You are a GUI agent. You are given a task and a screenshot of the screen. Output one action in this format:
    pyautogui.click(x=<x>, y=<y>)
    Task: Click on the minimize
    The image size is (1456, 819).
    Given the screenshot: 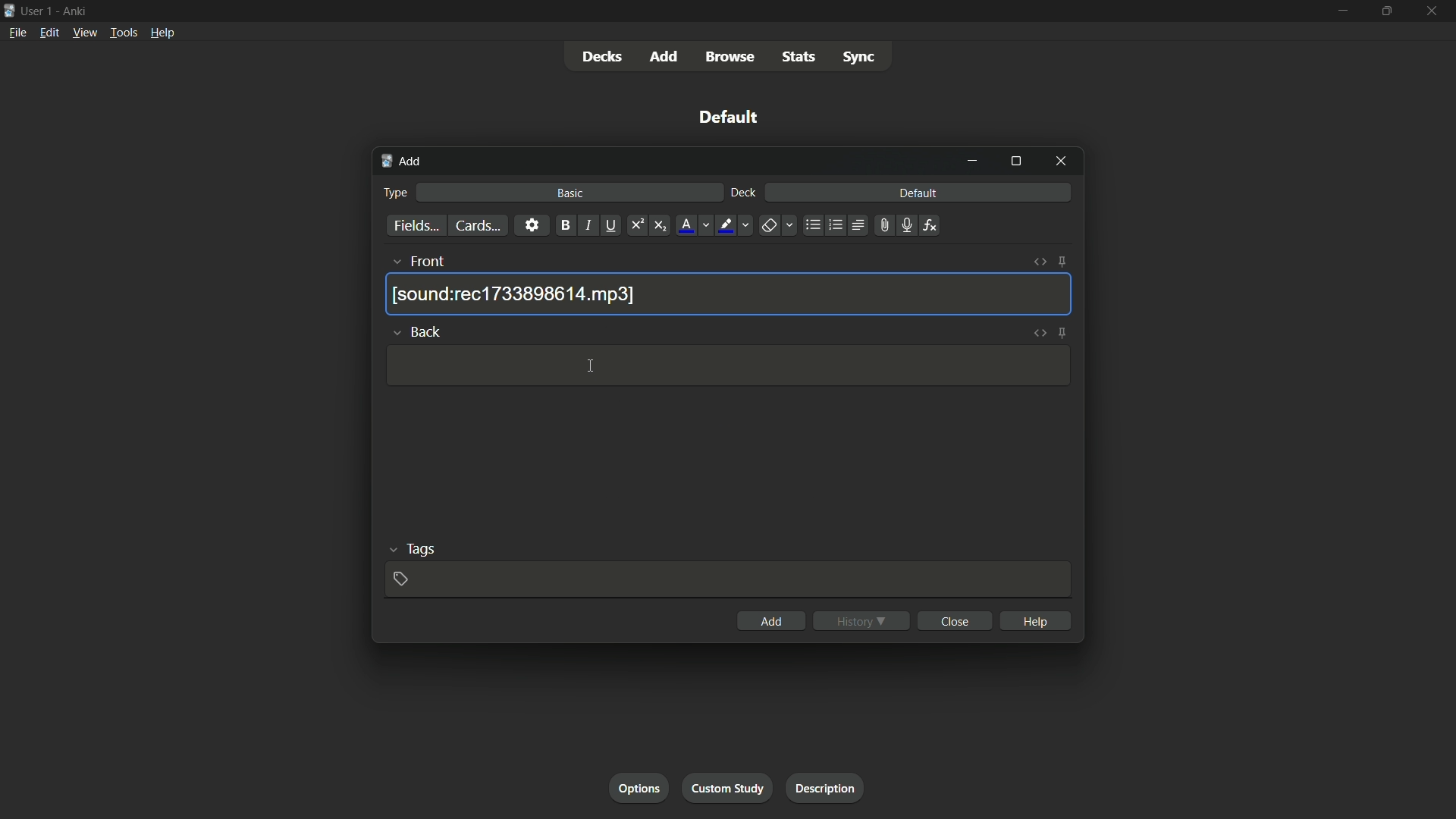 What is the action you would take?
    pyautogui.click(x=974, y=161)
    